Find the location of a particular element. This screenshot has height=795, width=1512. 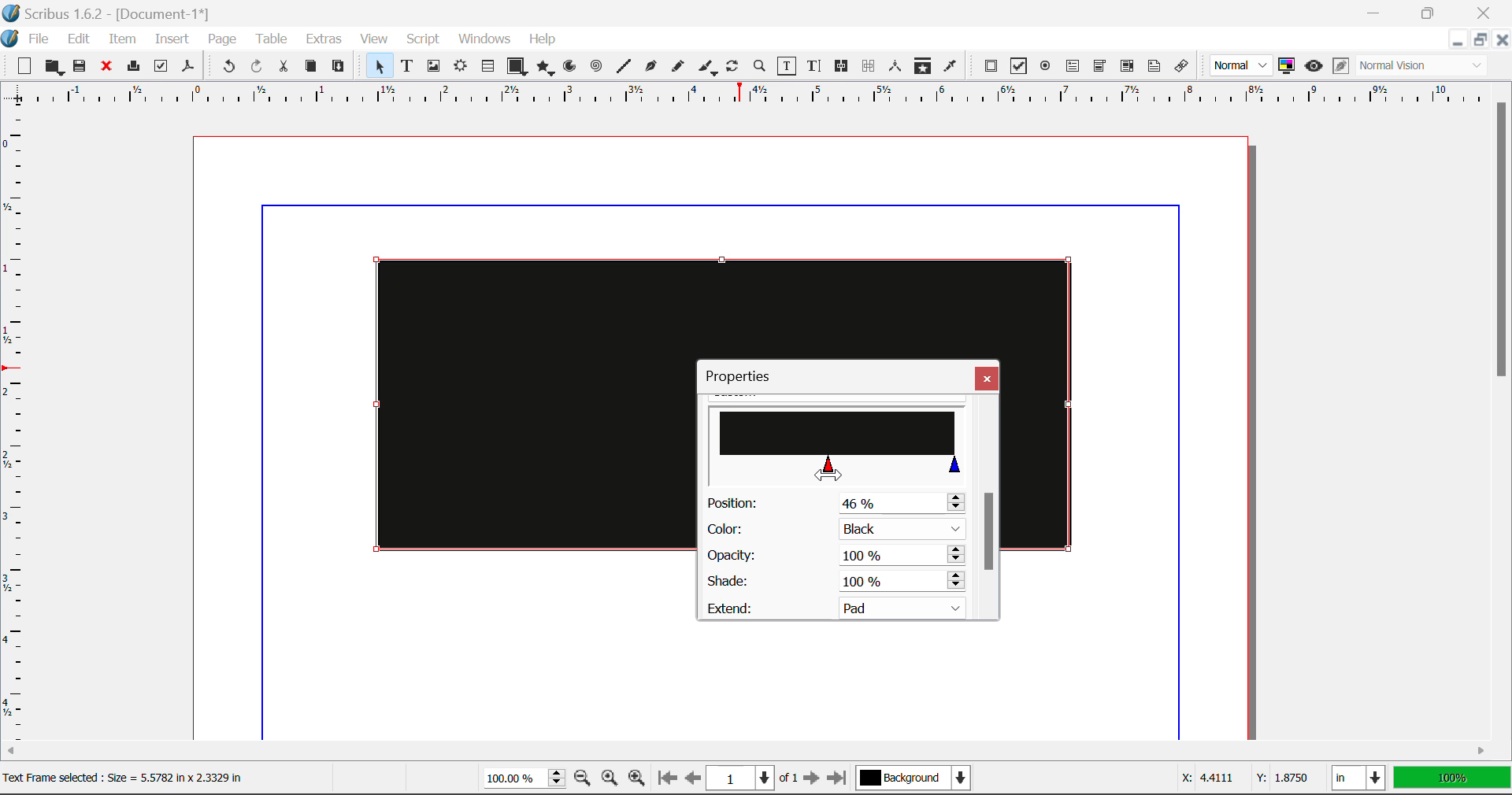

Shade is located at coordinates (833, 582).